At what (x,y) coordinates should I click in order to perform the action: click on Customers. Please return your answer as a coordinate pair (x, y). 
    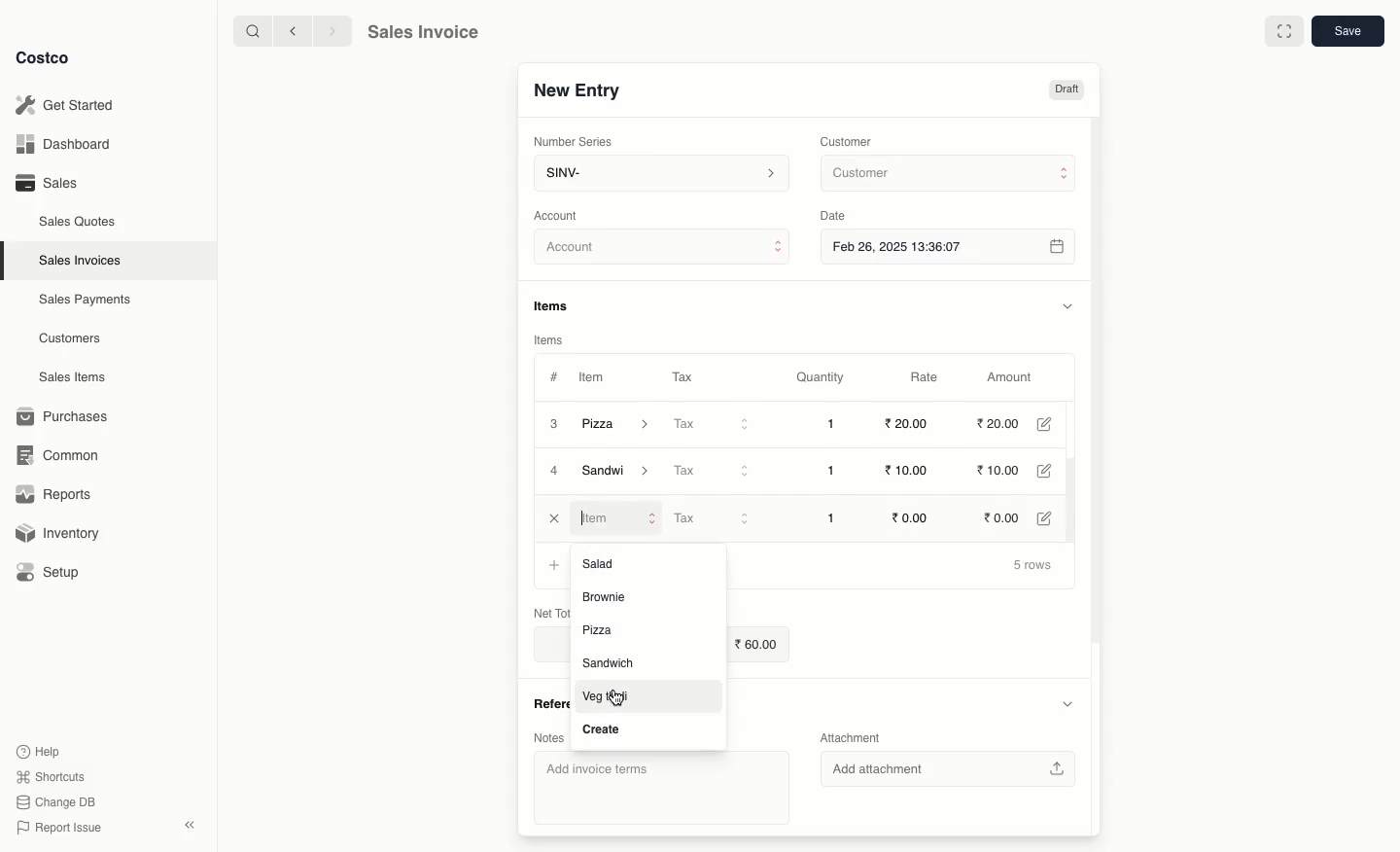
    Looking at the image, I should click on (70, 337).